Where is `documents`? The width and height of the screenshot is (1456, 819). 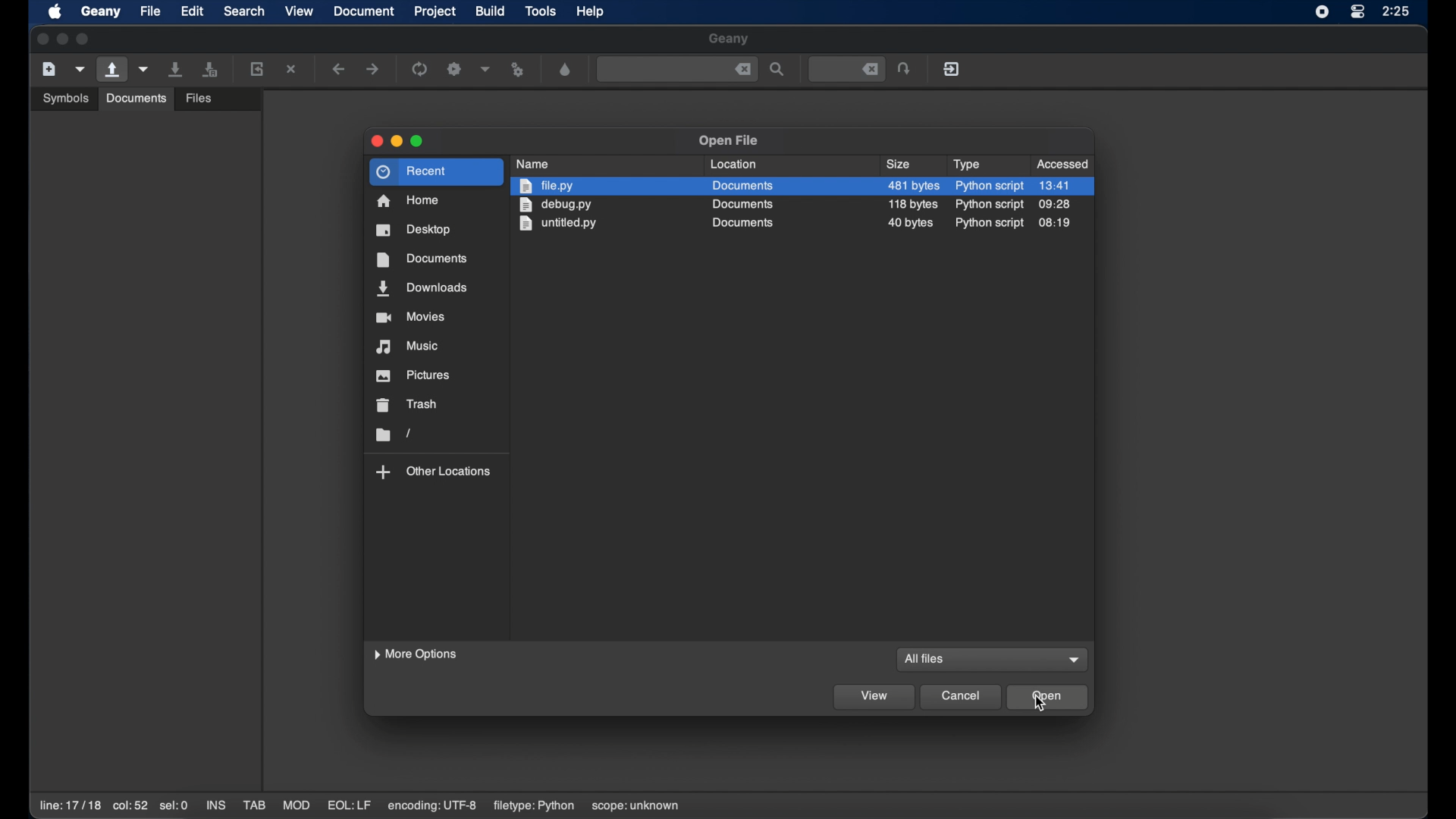
documents is located at coordinates (743, 204).